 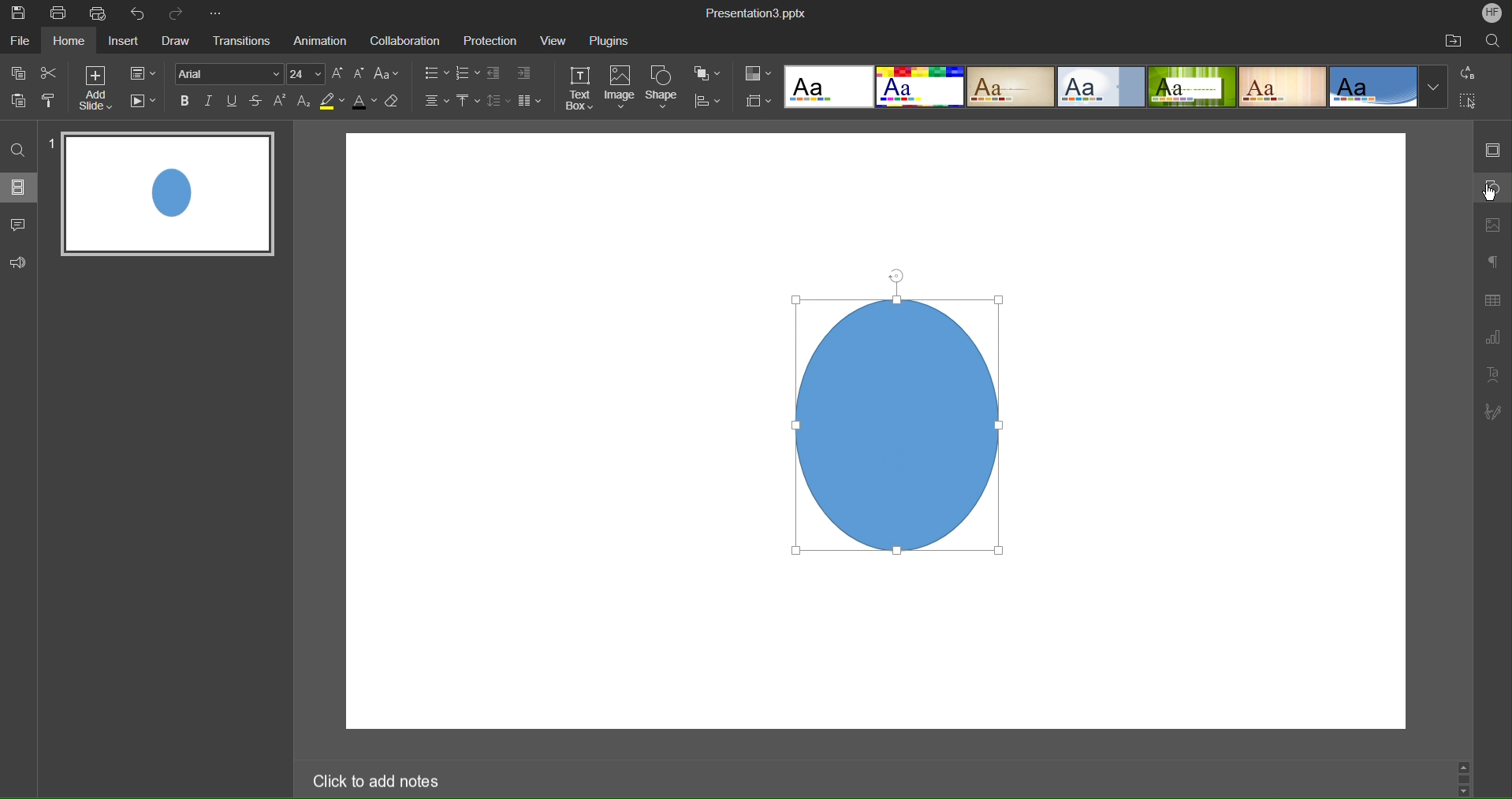 What do you see at coordinates (759, 100) in the screenshot?
I see `Slide Size` at bounding box center [759, 100].